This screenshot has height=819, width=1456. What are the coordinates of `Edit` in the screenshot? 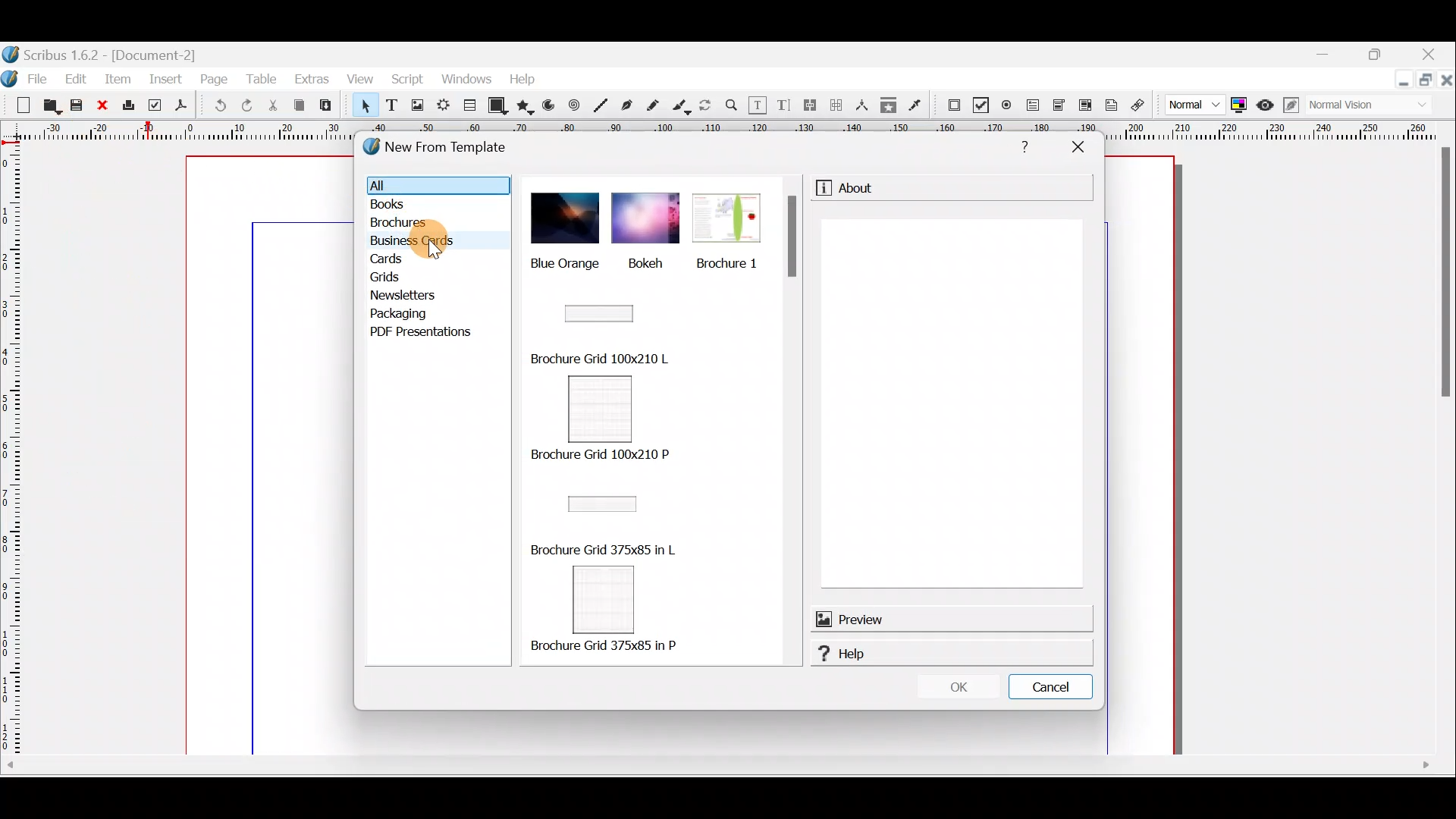 It's located at (76, 80).